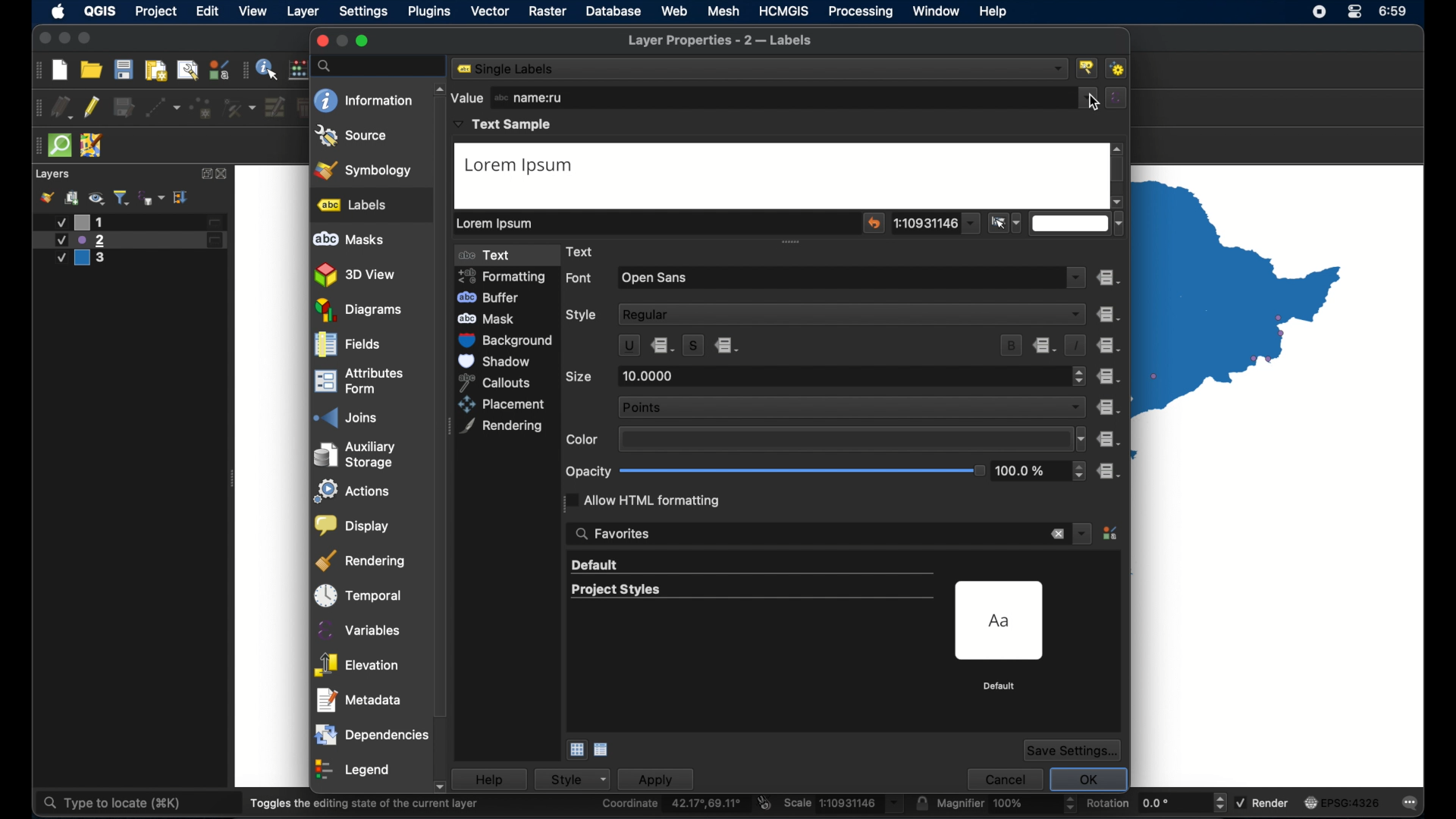  What do you see at coordinates (359, 310) in the screenshot?
I see `diagrams` at bounding box center [359, 310].